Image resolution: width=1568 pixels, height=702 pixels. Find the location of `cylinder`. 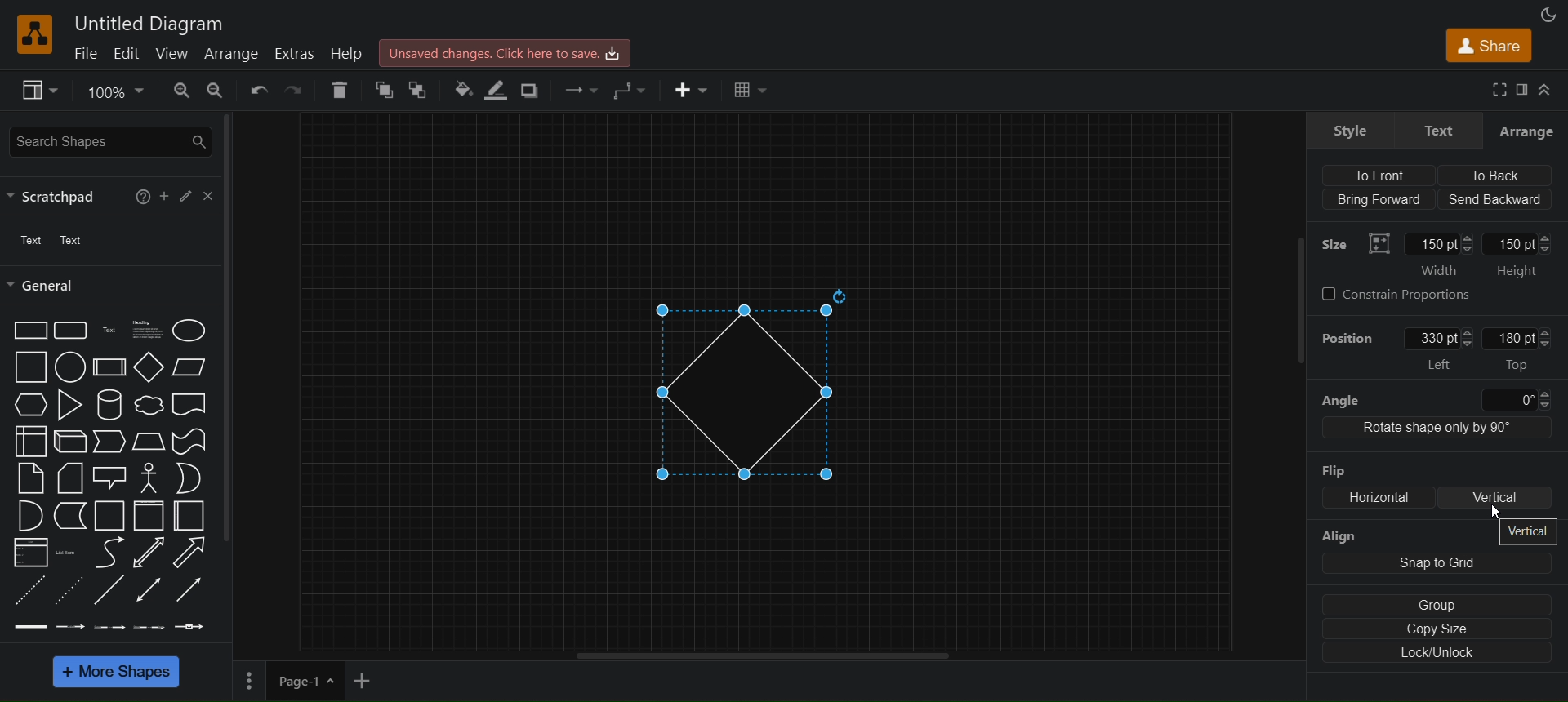

cylinder is located at coordinates (111, 405).